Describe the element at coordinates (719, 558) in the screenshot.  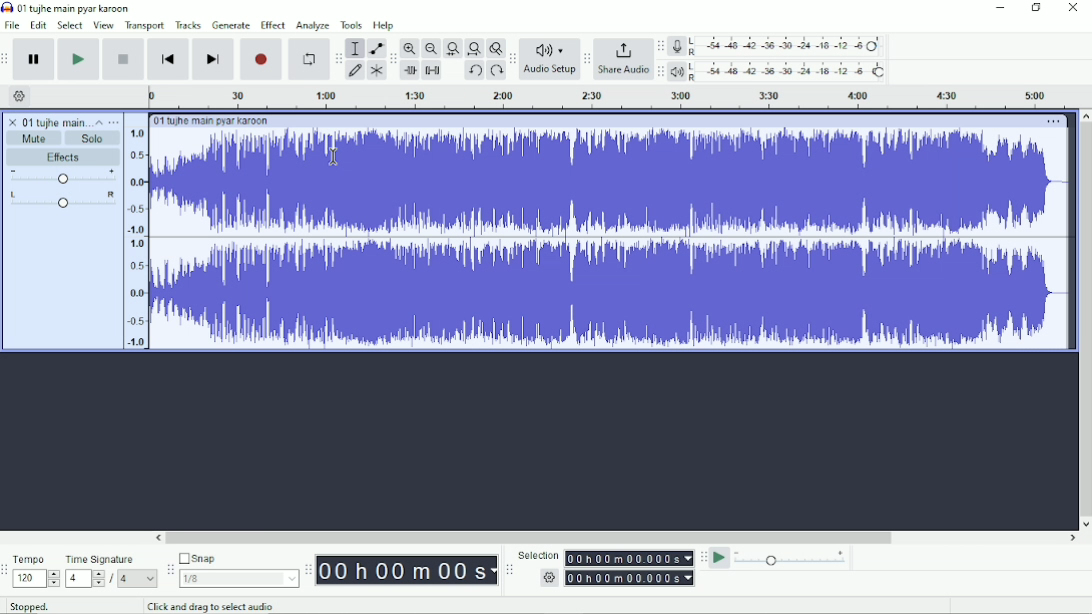
I see `Play-at-speed` at that location.